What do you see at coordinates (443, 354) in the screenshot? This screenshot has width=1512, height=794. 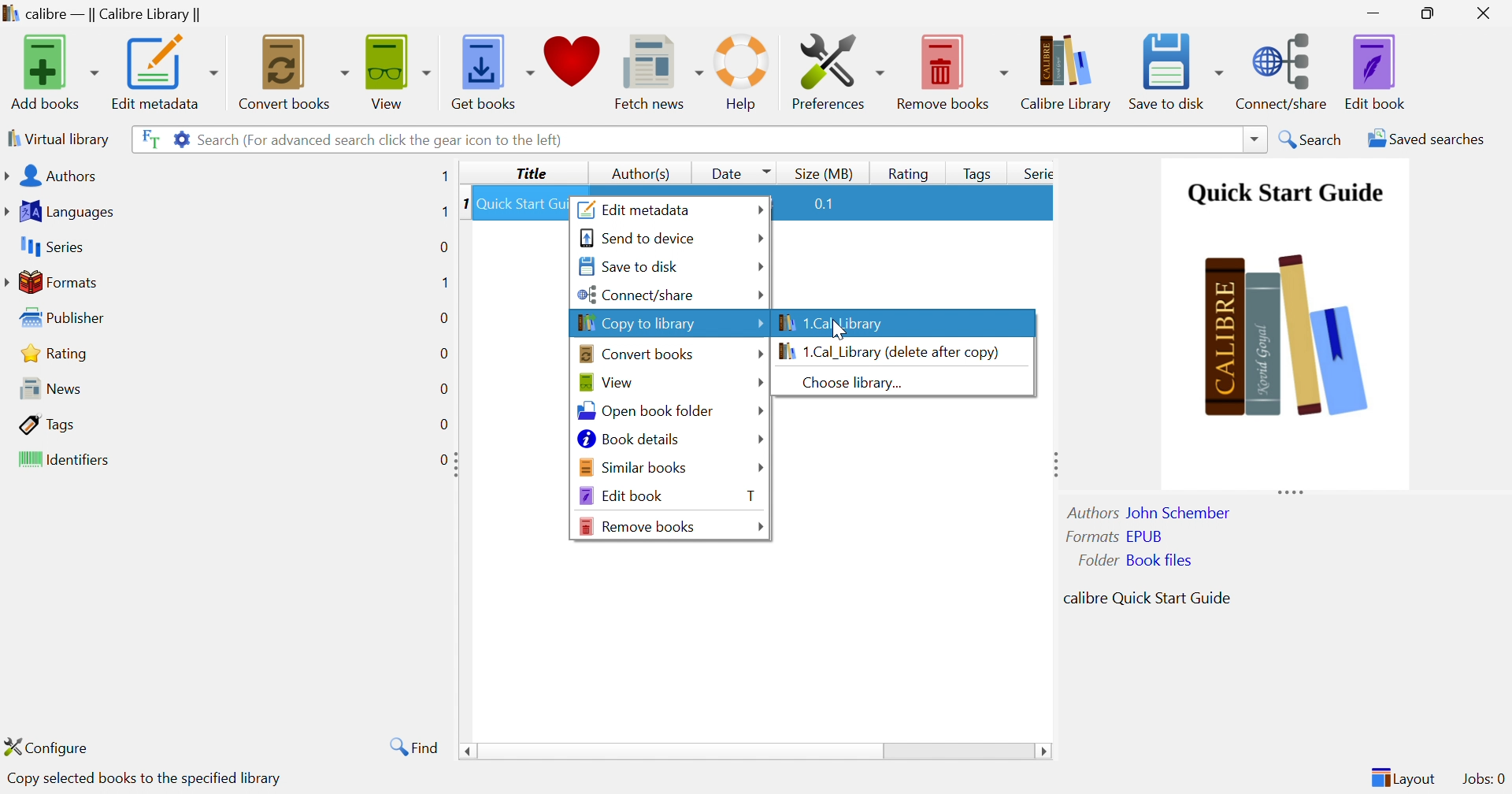 I see `0` at bounding box center [443, 354].